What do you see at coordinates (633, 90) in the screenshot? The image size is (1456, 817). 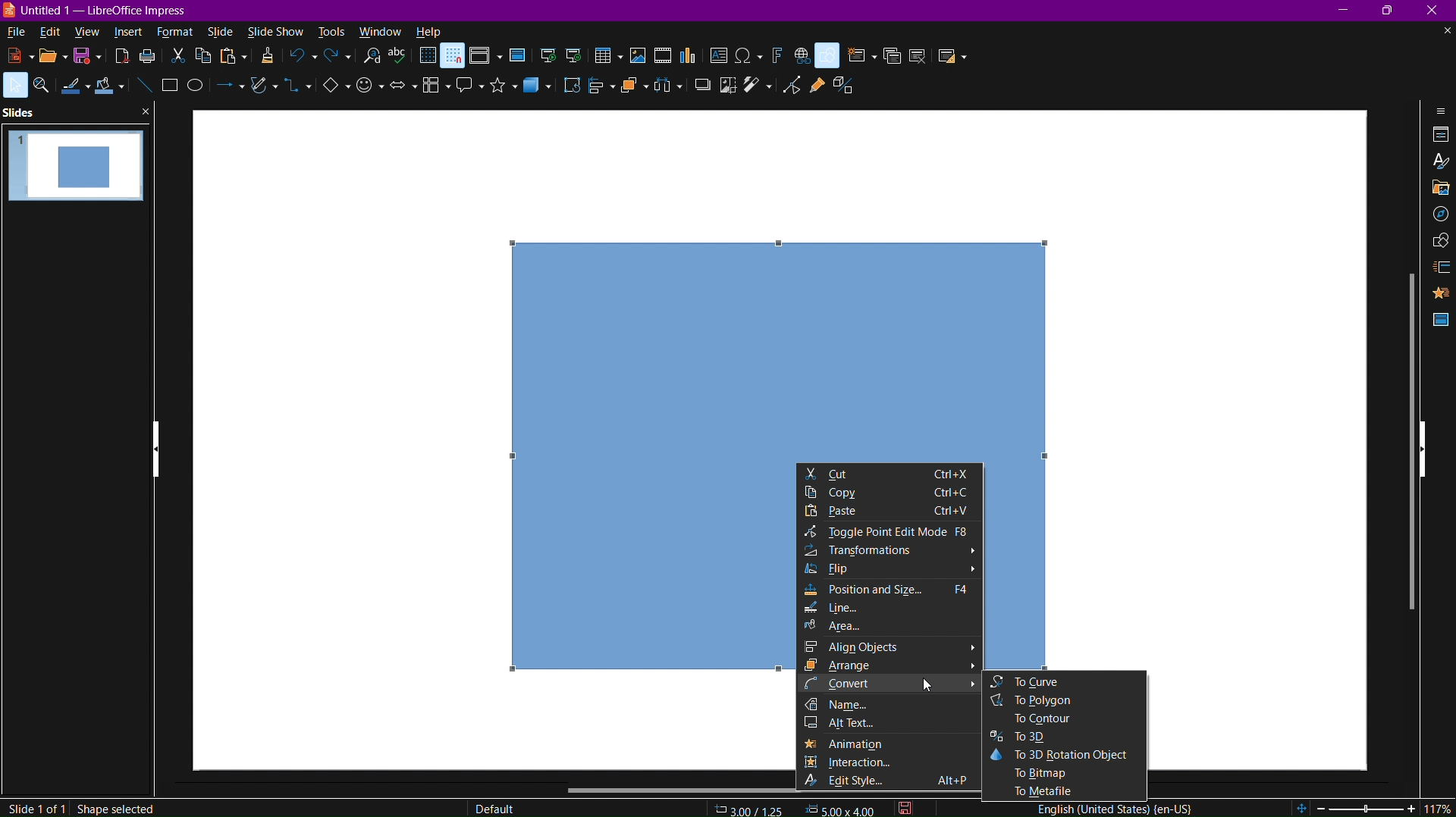 I see `Arrange` at bounding box center [633, 90].